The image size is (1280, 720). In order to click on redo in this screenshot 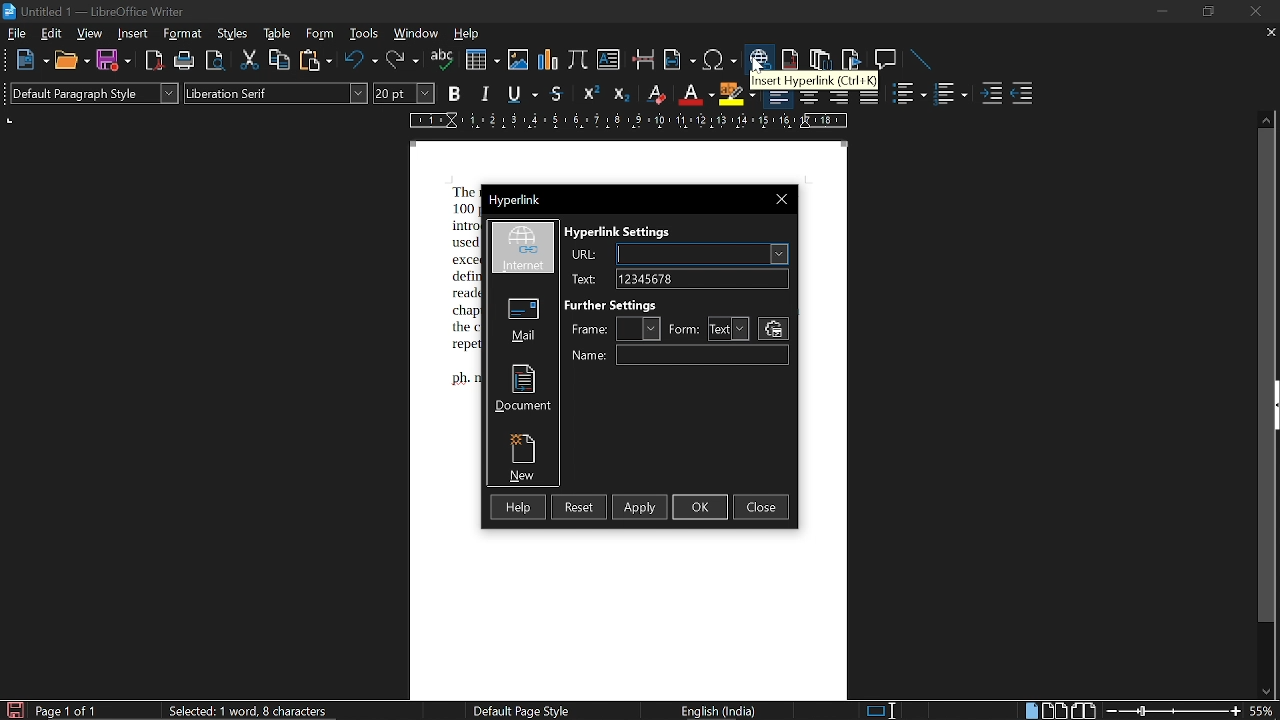, I will do `click(401, 61)`.